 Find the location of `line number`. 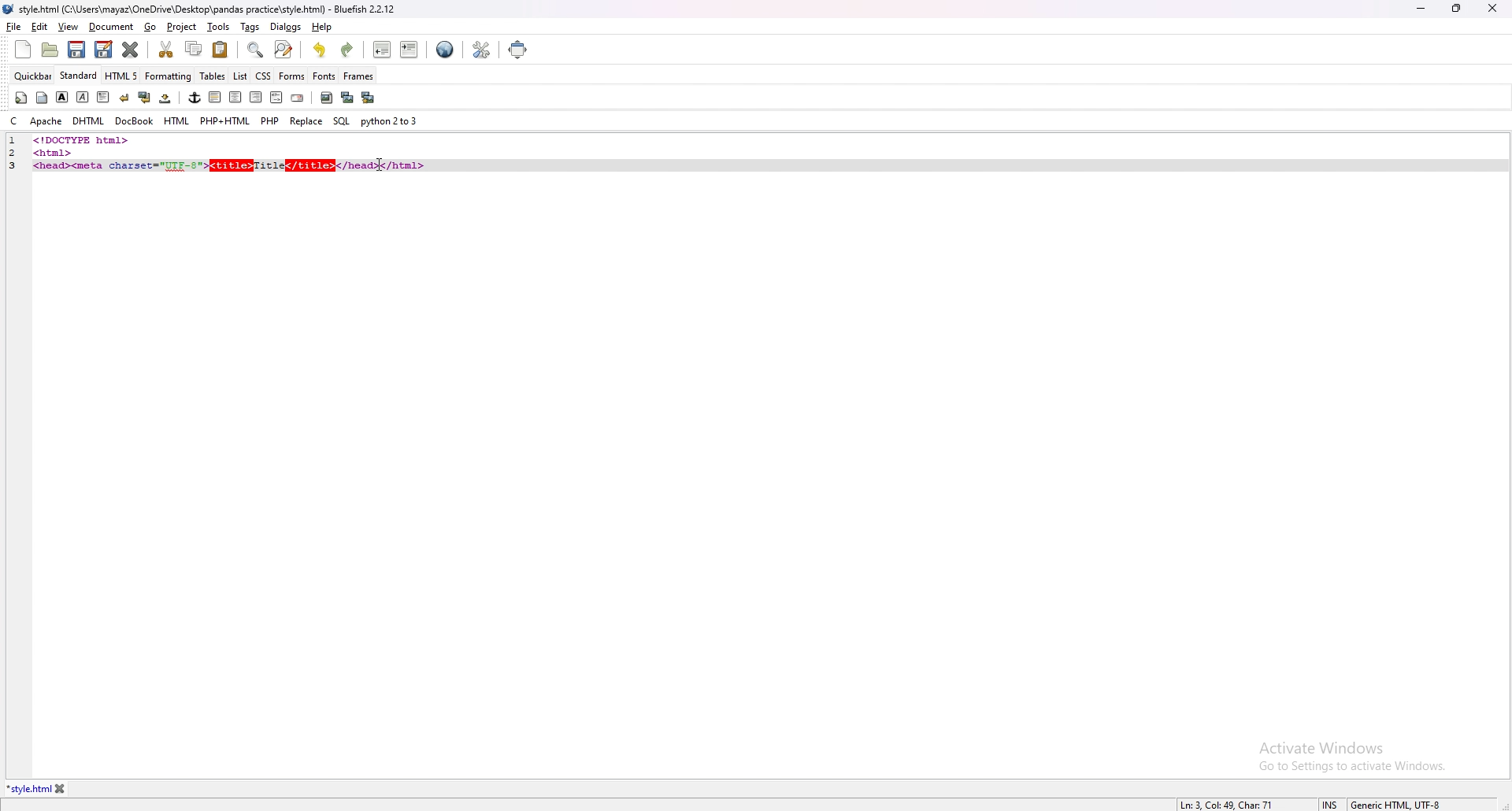

line number is located at coordinates (17, 165).